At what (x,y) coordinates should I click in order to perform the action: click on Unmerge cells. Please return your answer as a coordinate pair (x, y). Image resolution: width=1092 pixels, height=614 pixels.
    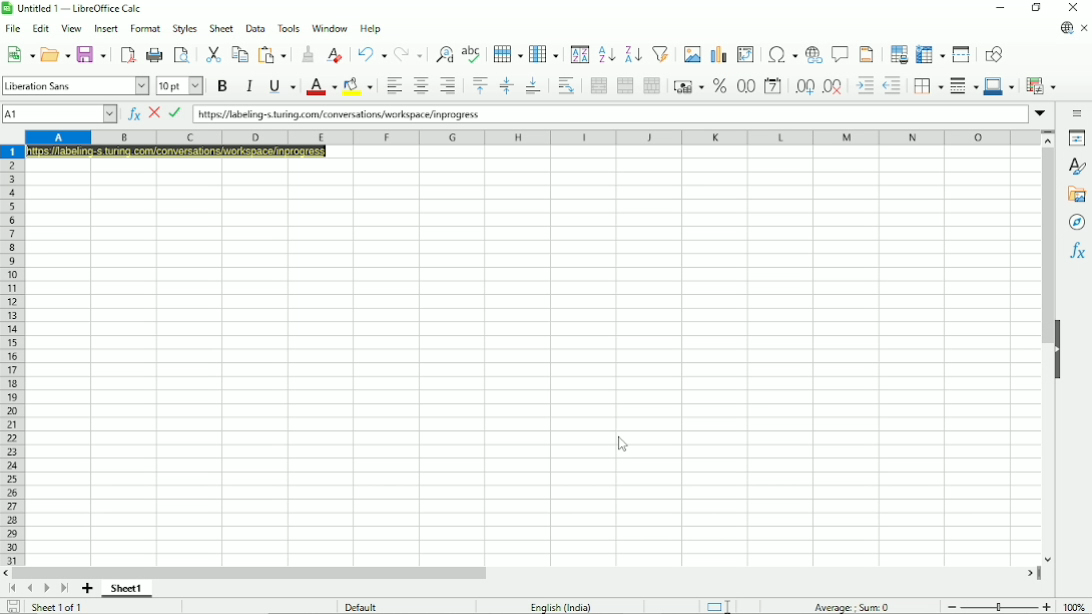
    Looking at the image, I should click on (652, 85).